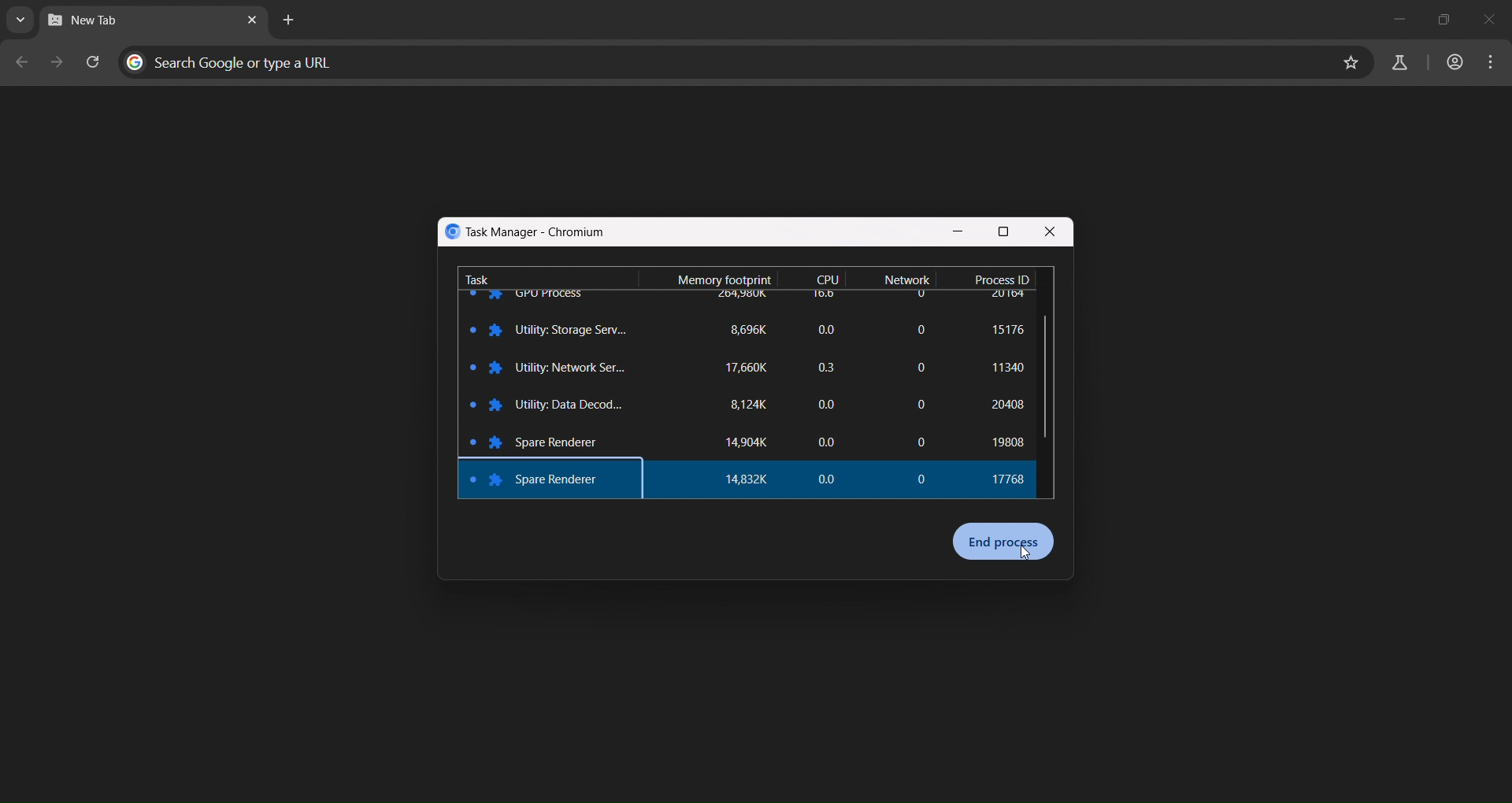 Image resolution: width=1512 pixels, height=803 pixels. What do you see at coordinates (563, 481) in the screenshot?
I see `Spare Renderer` at bounding box center [563, 481].